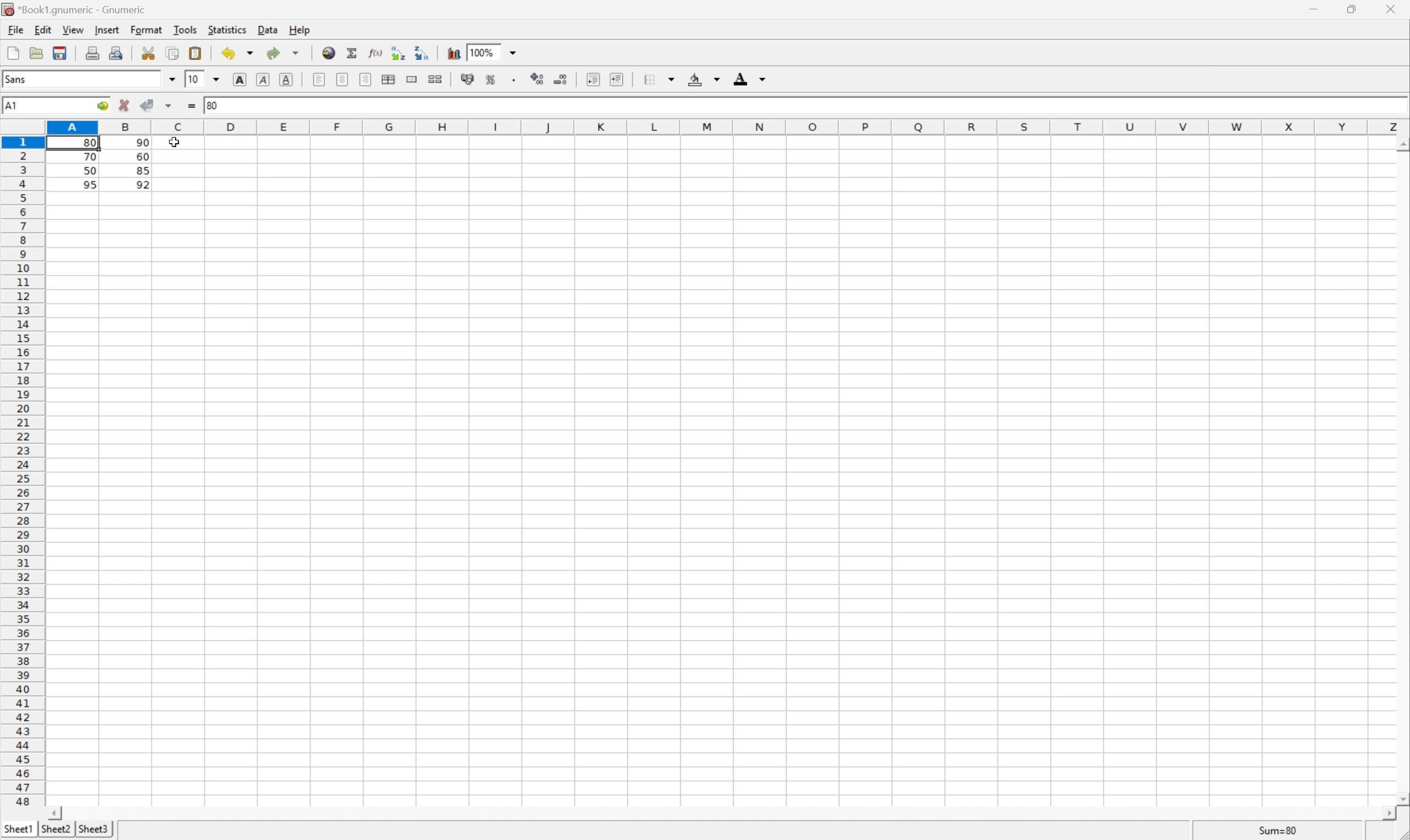  What do you see at coordinates (516, 77) in the screenshot?
I see `Set the format of the selected cells to include a thousands separator` at bounding box center [516, 77].